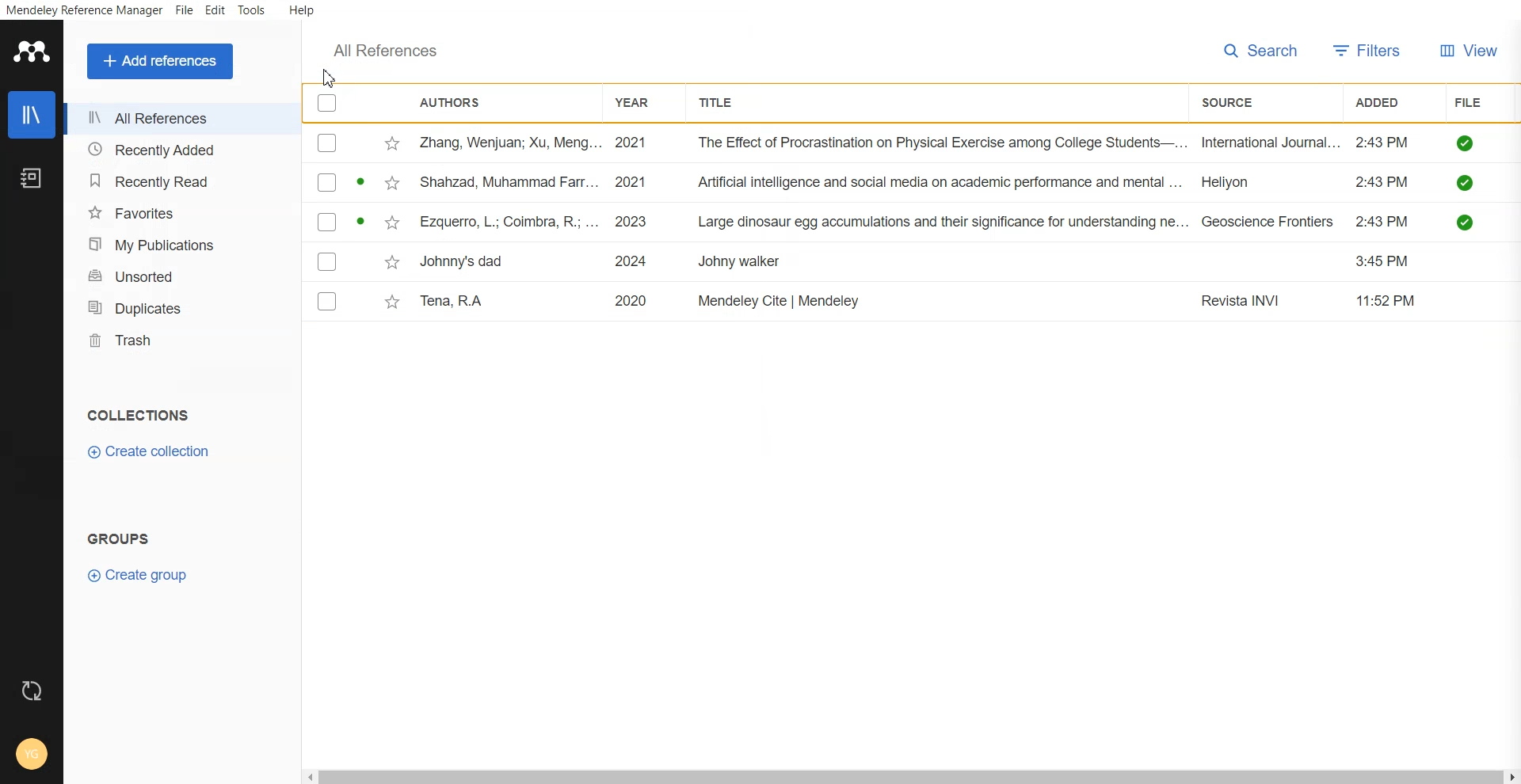 The image size is (1521, 784). Describe the element at coordinates (174, 150) in the screenshot. I see `Recently Added` at that location.